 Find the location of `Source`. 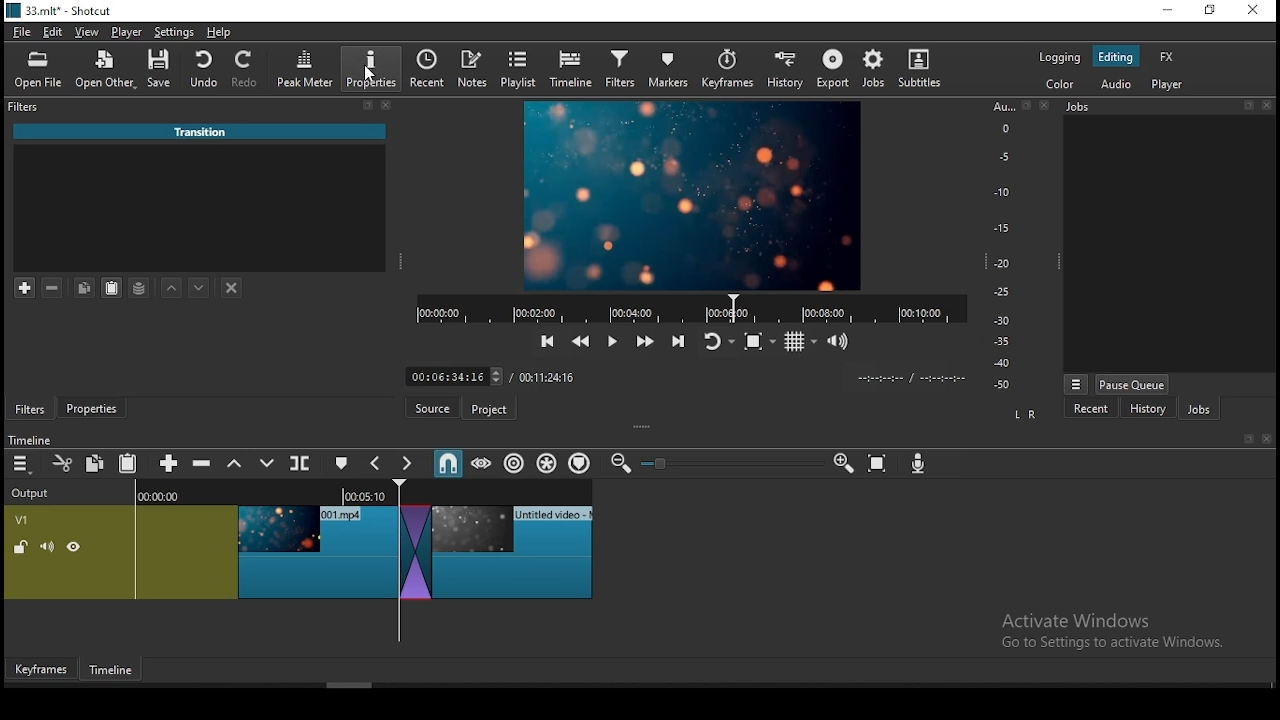

Source is located at coordinates (430, 408).